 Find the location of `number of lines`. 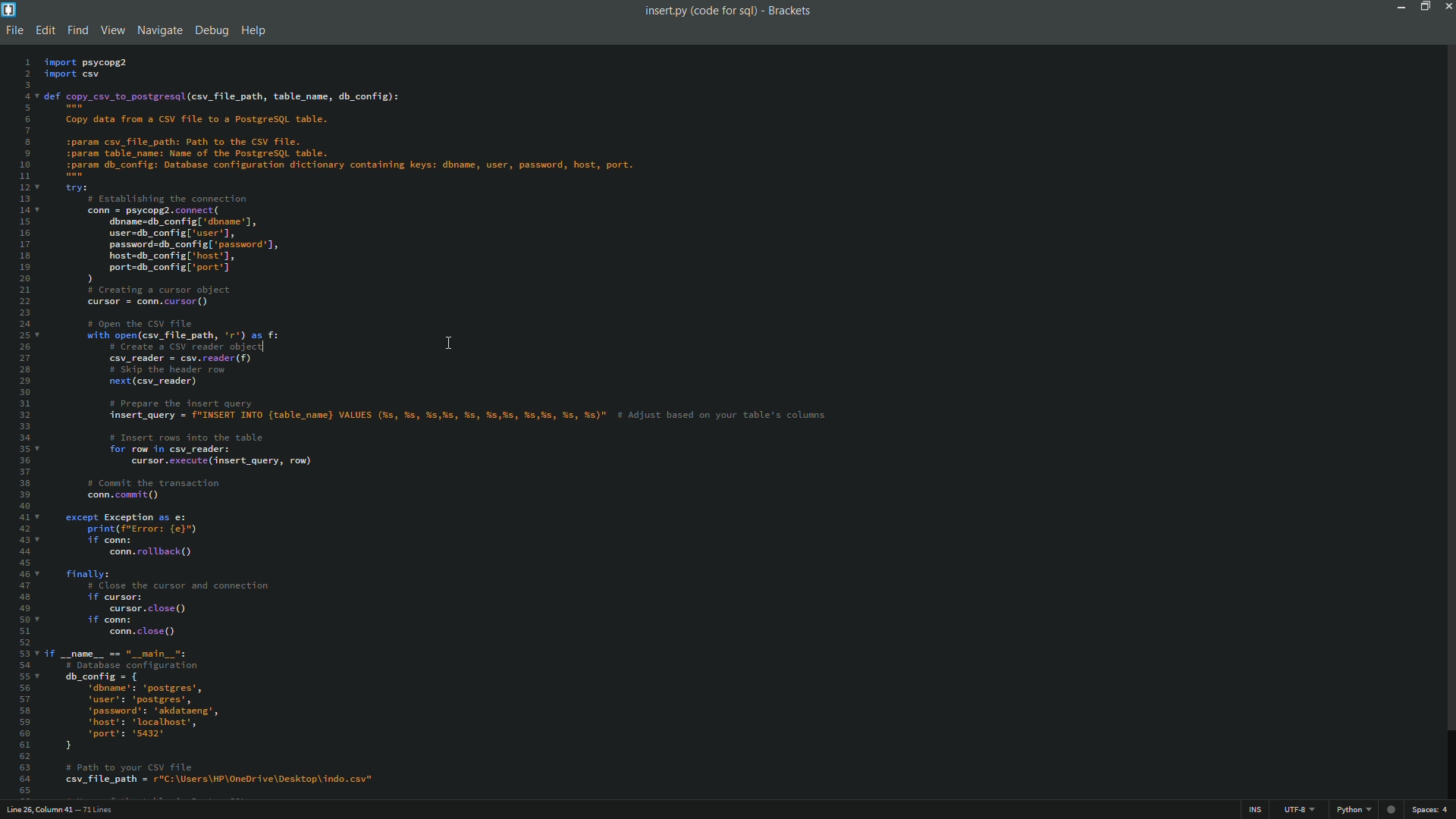

number of lines is located at coordinates (98, 809).